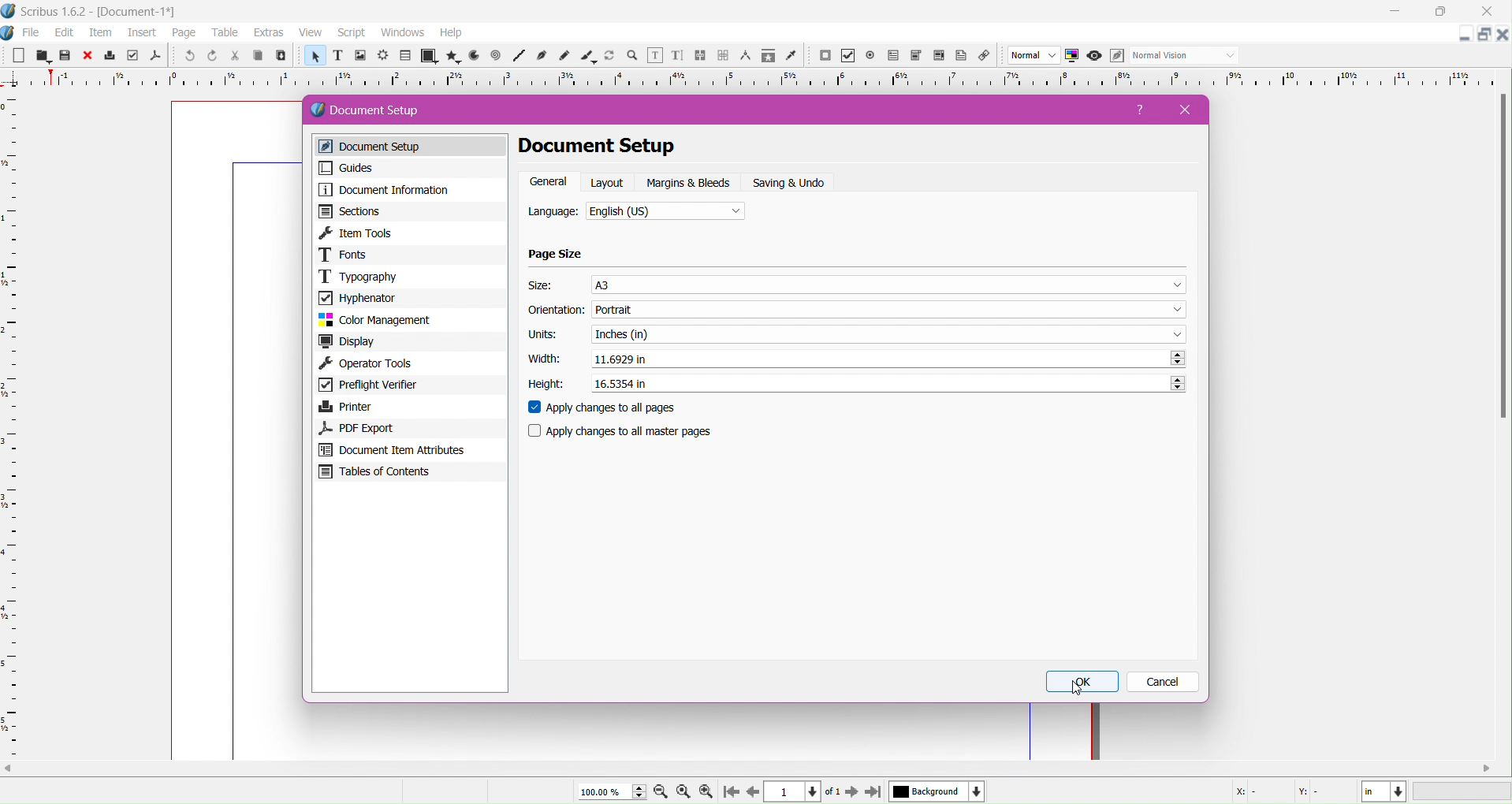  I want to click on Close, so click(1180, 110).